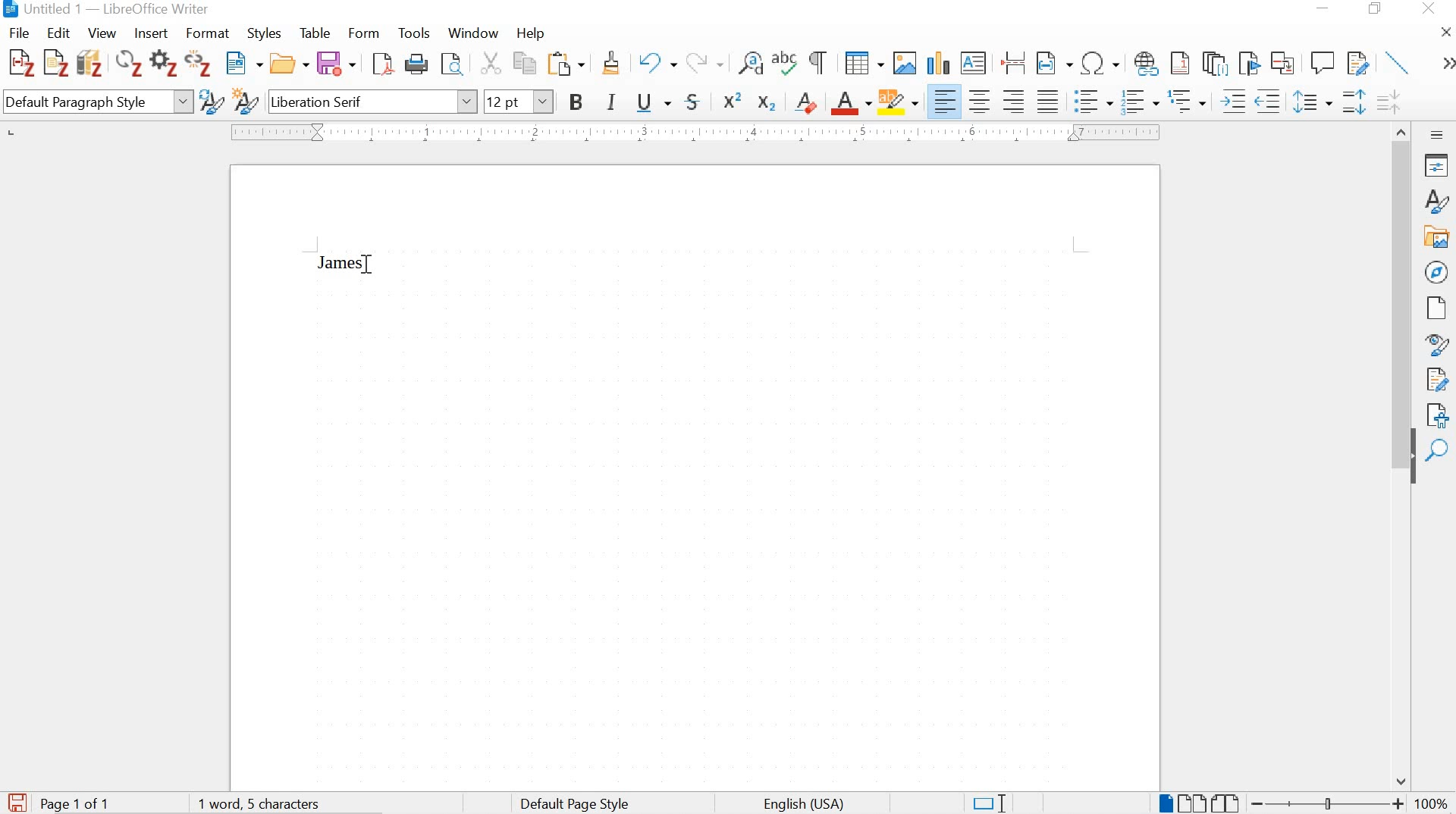 The image size is (1456, 814). I want to click on insert text box, so click(974, 64).